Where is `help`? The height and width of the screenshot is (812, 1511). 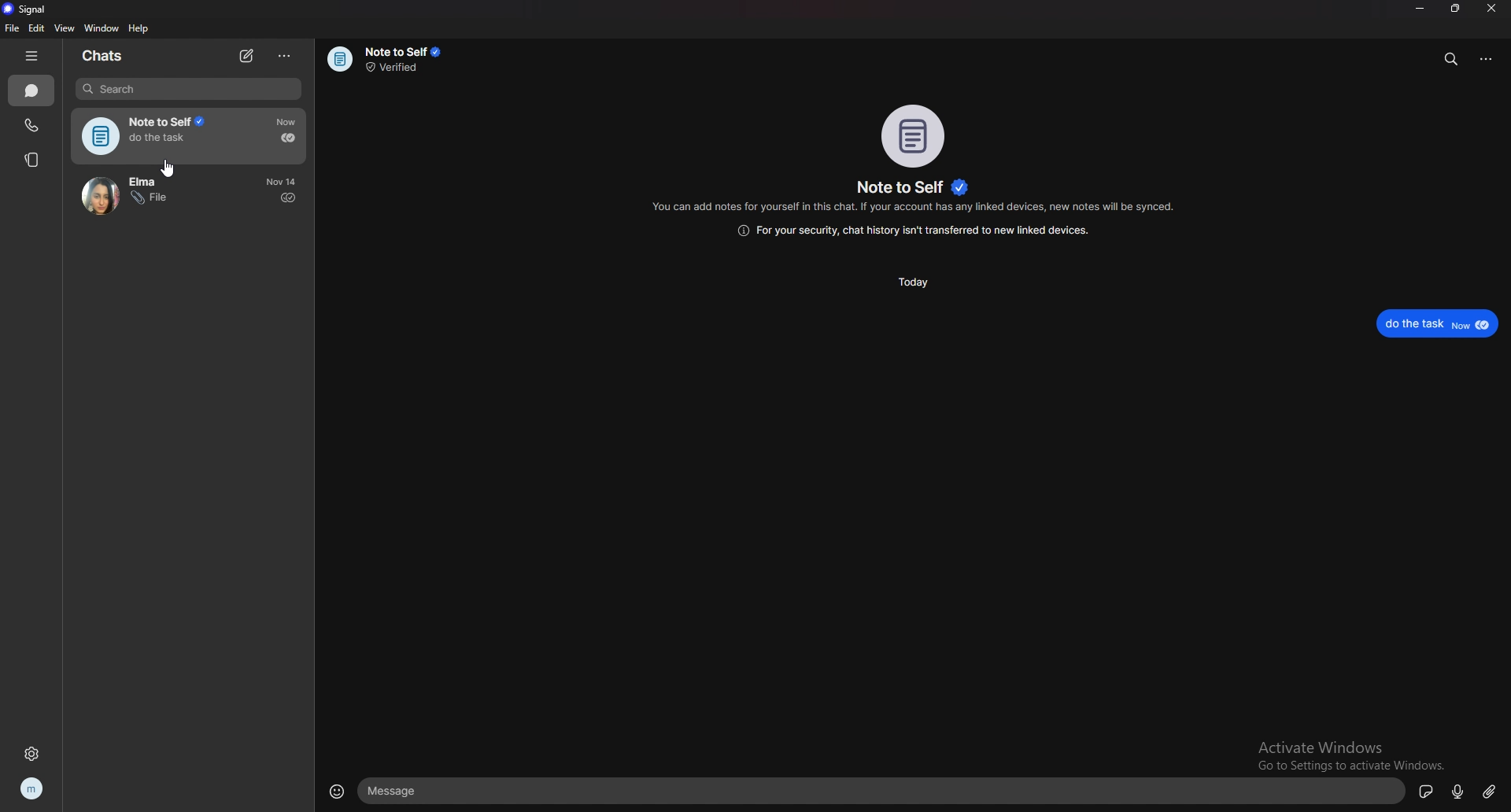
help is located at coordinates (140, 28).